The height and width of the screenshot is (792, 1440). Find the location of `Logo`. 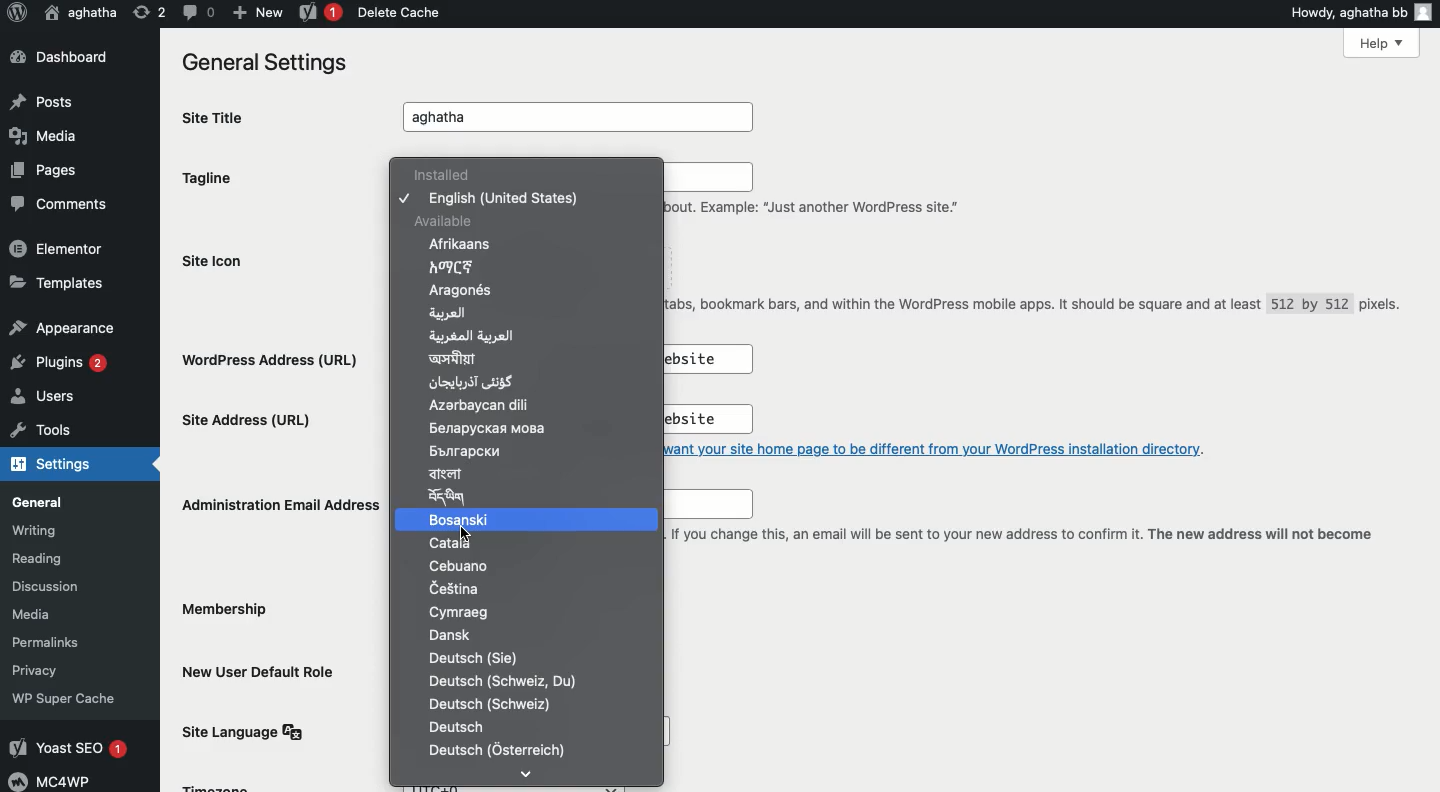

Logo is located at coordinates (17, 14).